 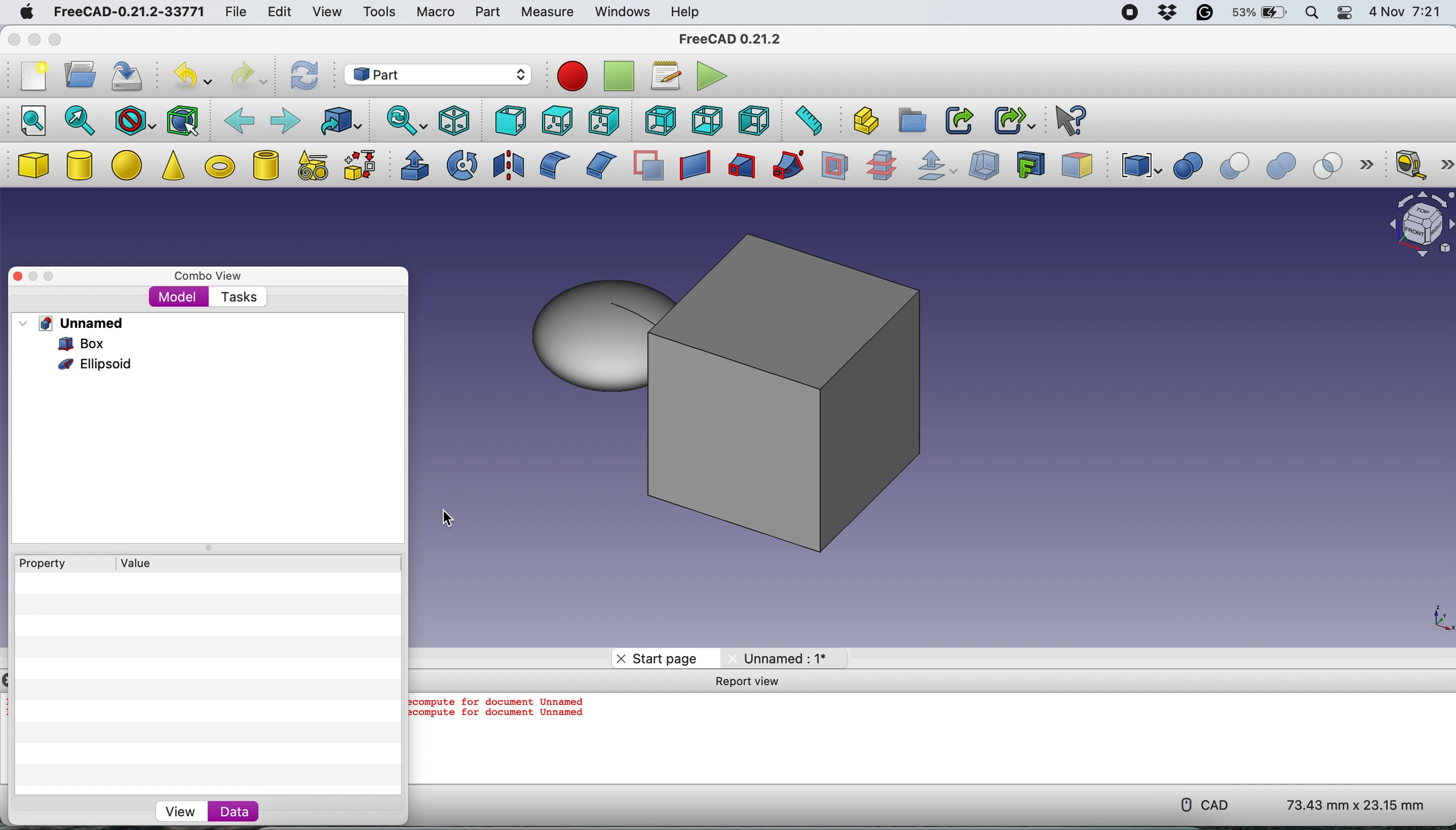 I want to click on spotlight search, so click(x=1311, y=14).